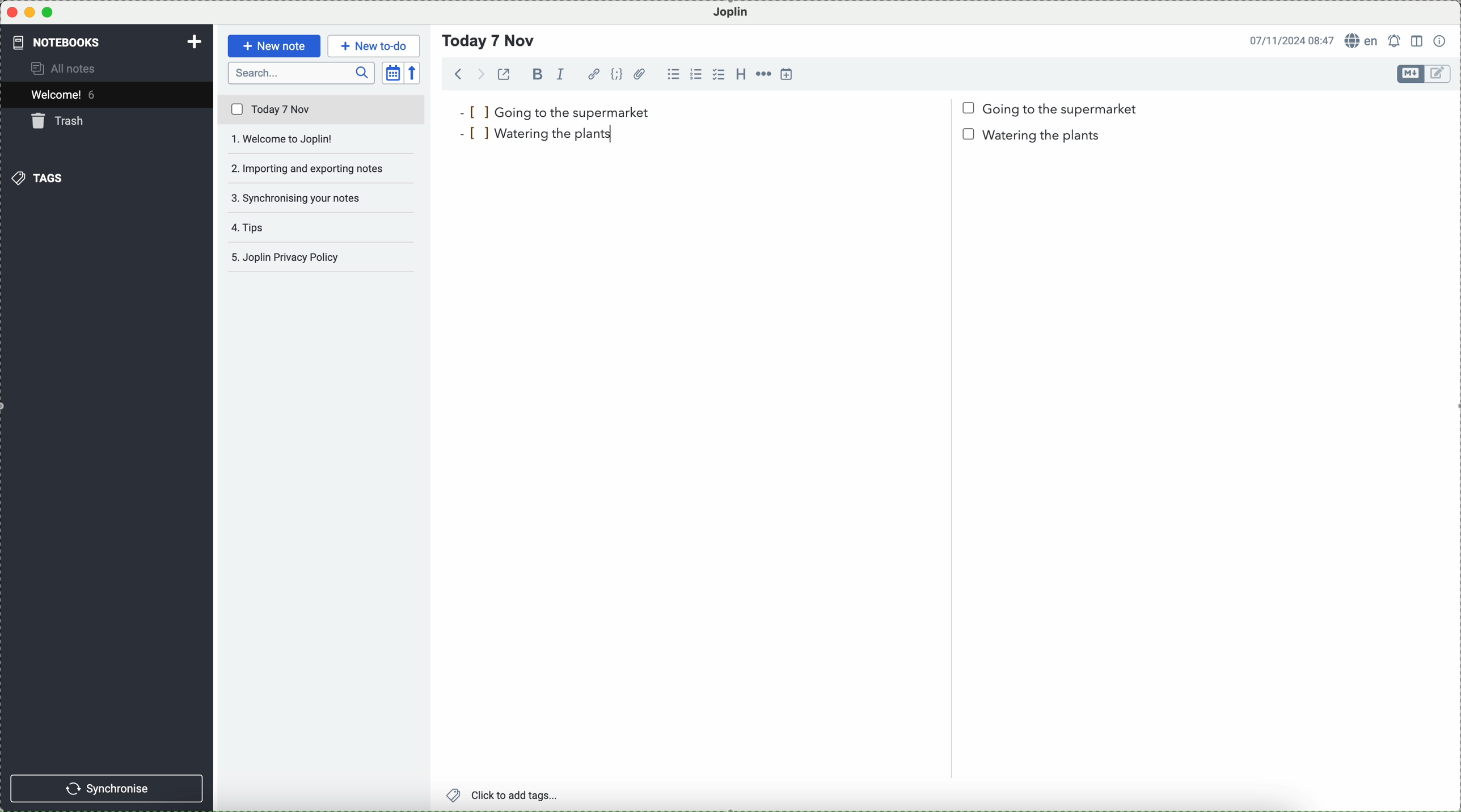 The width and height of the screenshot is (1461, 812). Describe the element at coordinates (459, 73) in the screenshot. I see `back` at that location.